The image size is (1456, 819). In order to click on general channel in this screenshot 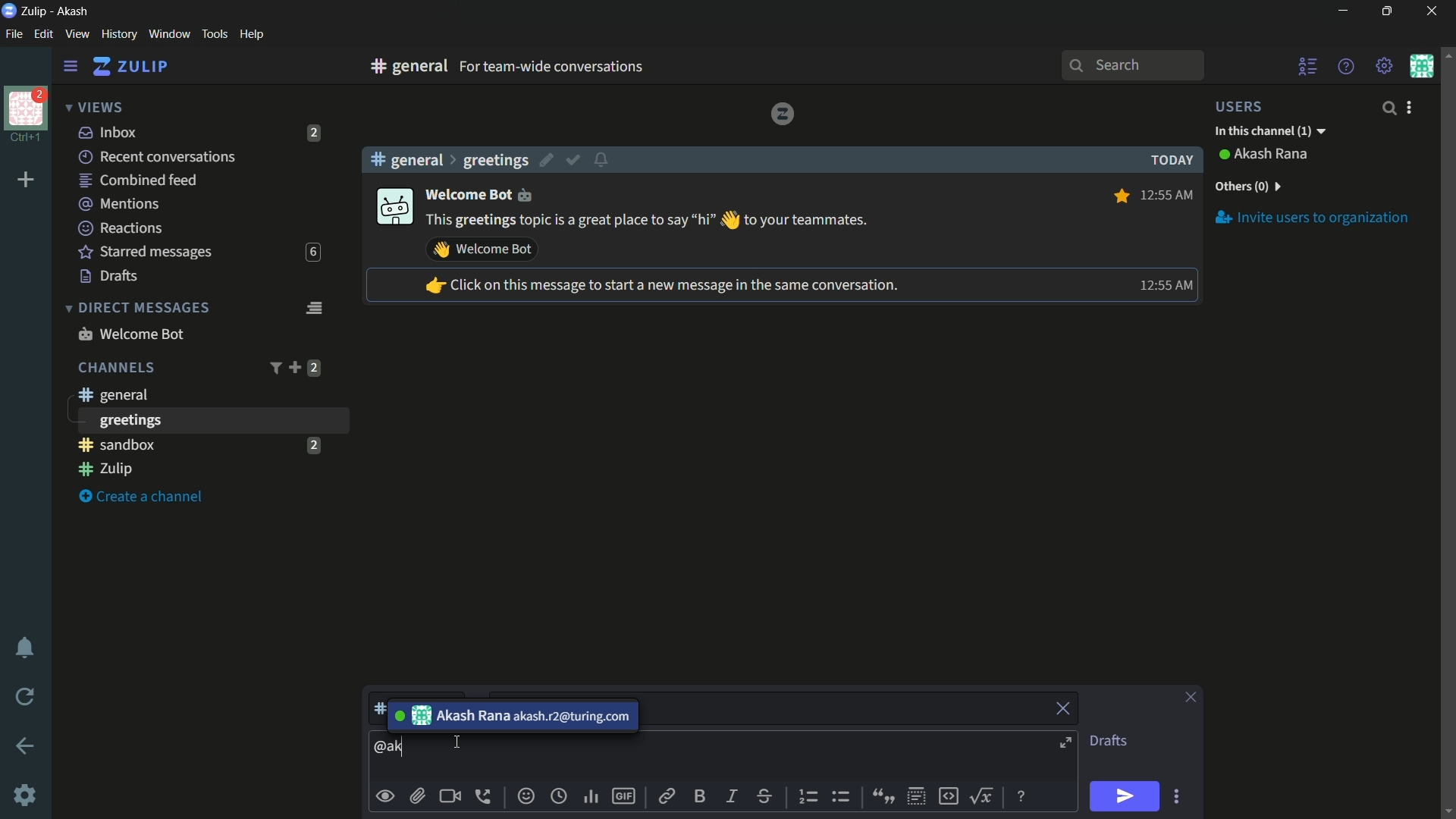, I will do `click(111, 394)`.